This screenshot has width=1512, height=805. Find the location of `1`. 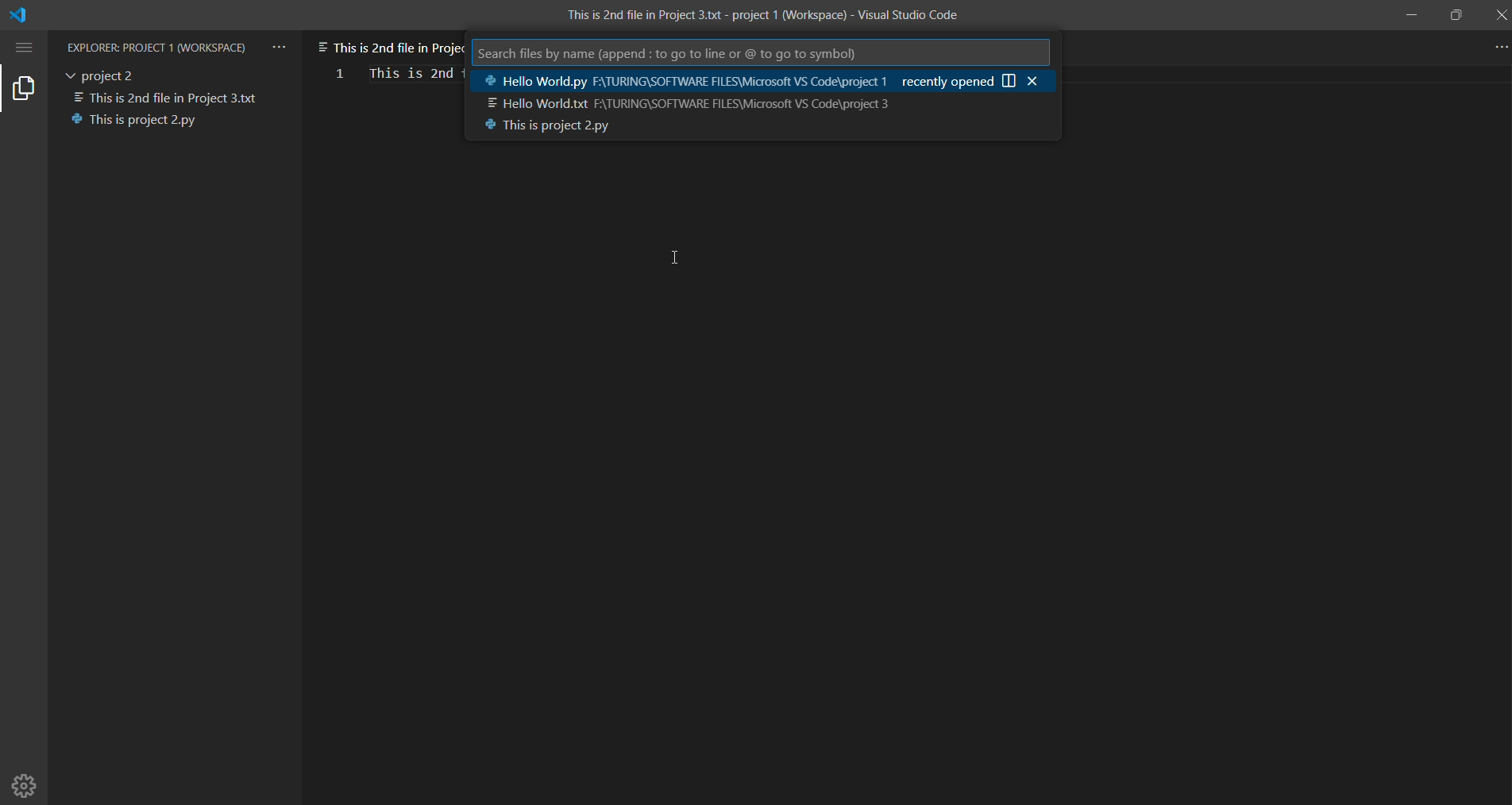

1 is located at coordinates (334, 72).